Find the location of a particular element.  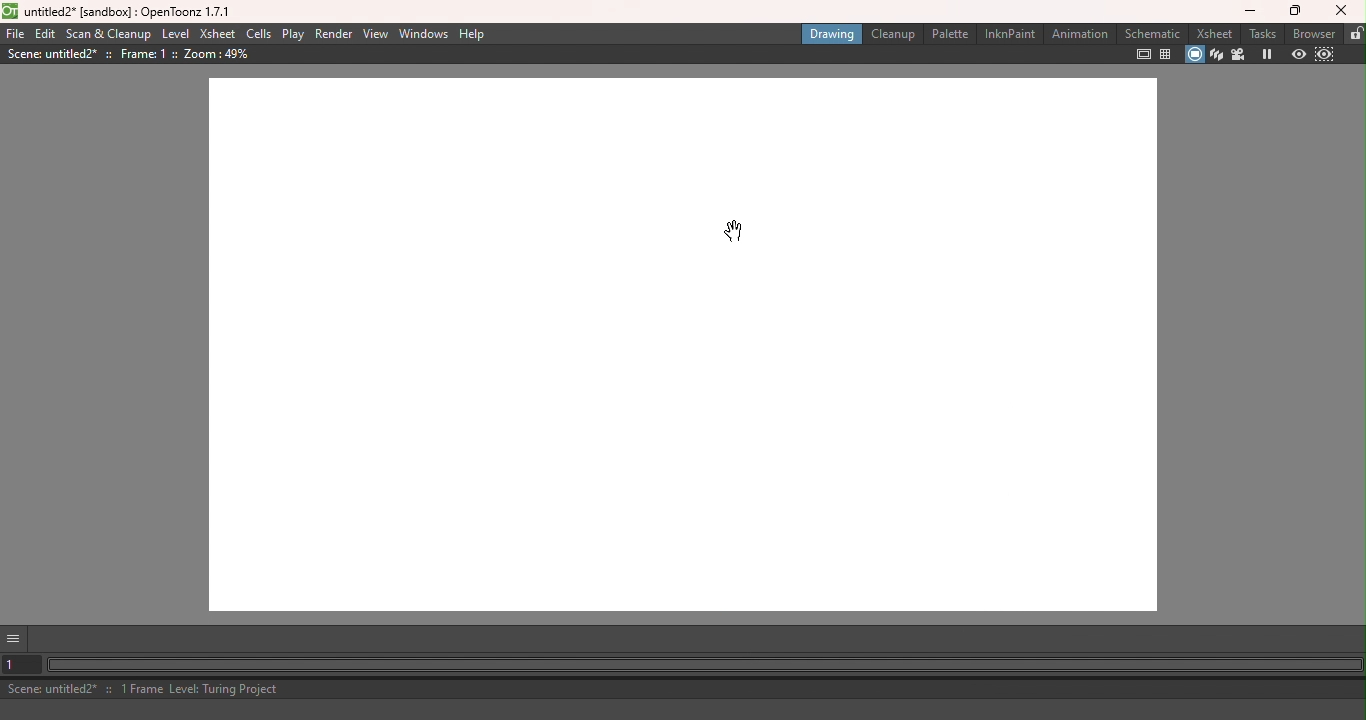

More options is located at coordinates (16, 640).